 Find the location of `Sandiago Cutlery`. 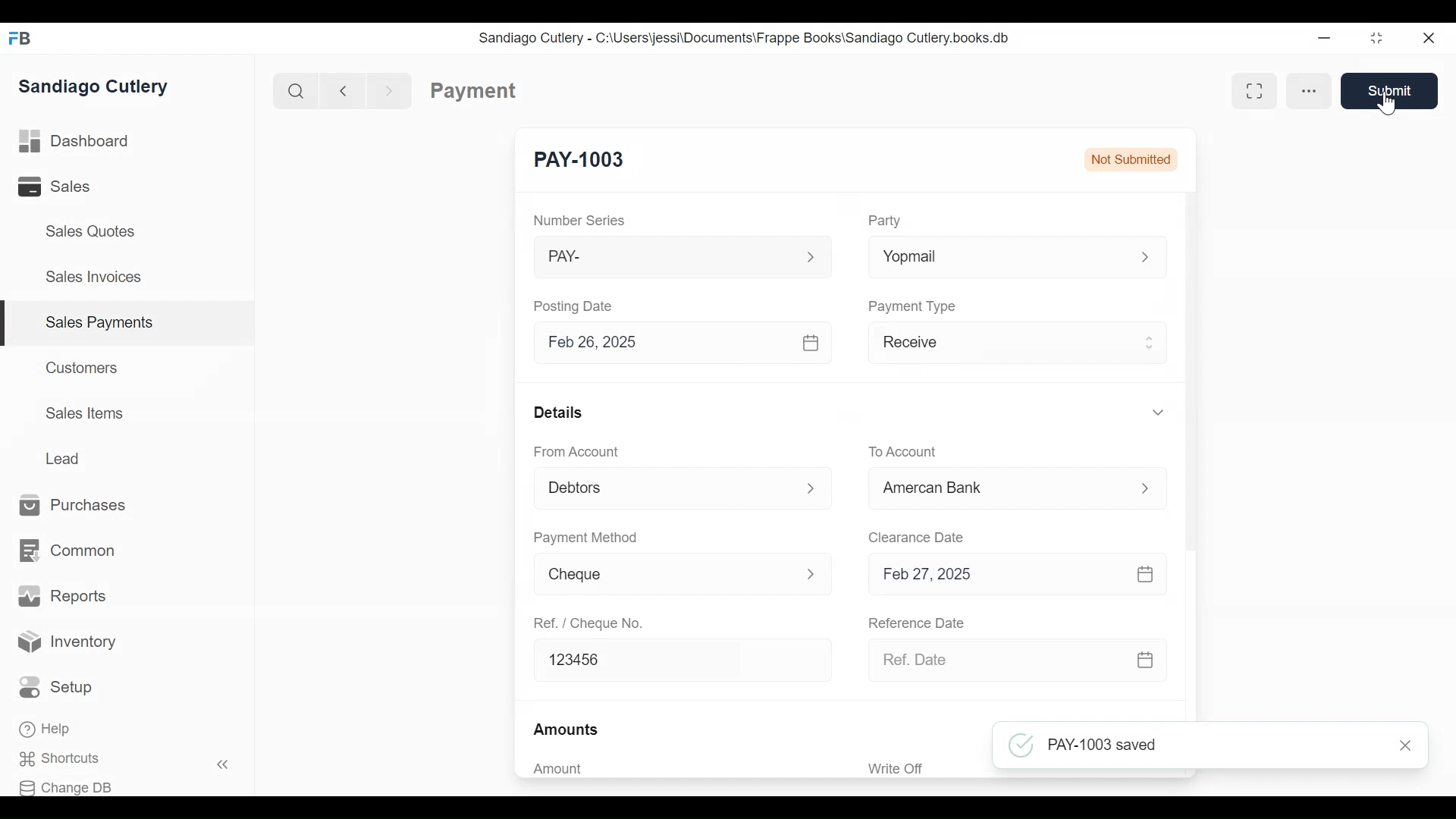

Sandiago Cutlery is located at coordinates (96, 86).